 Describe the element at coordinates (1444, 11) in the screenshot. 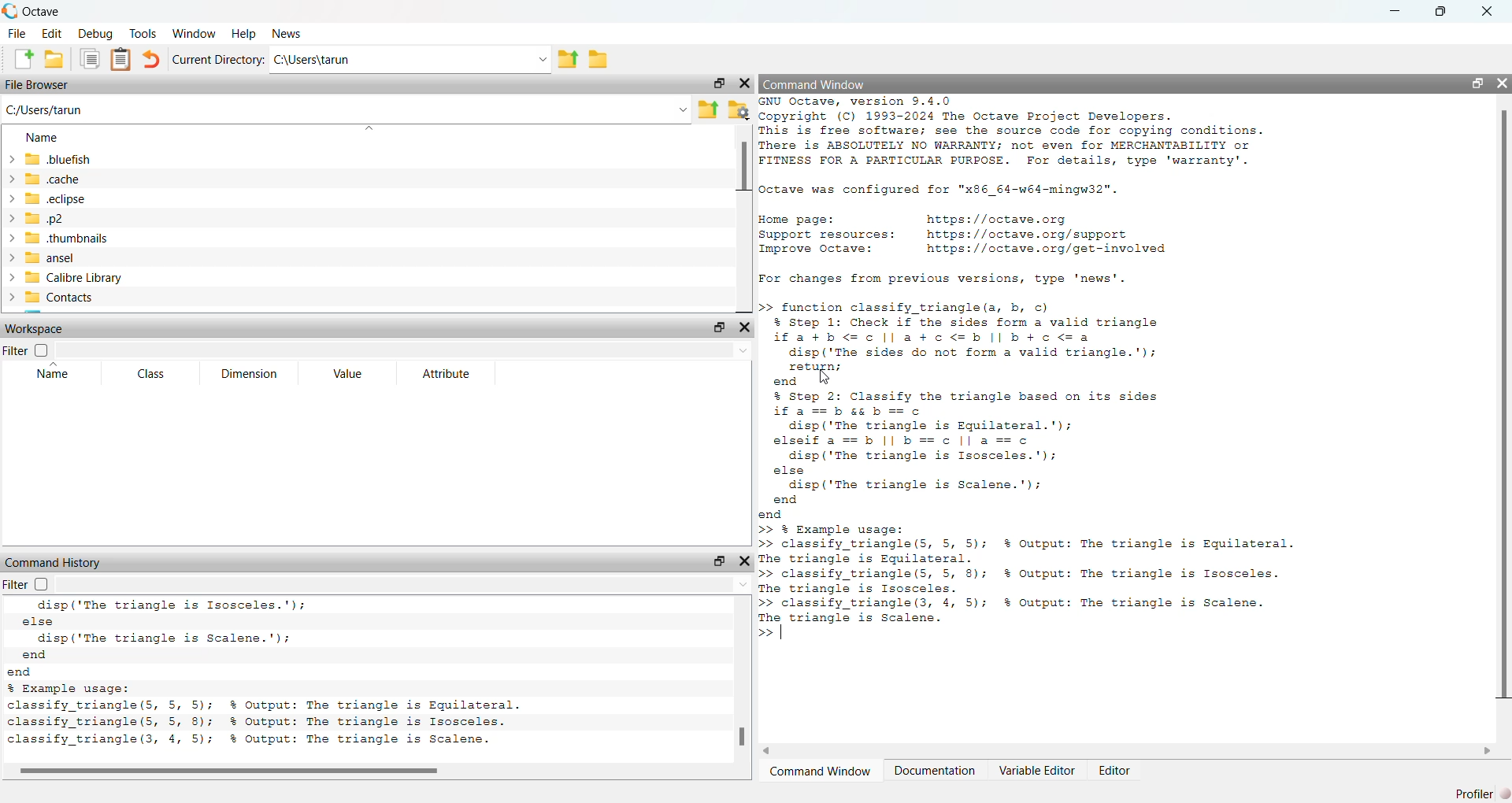

I see `maximize` at that location.